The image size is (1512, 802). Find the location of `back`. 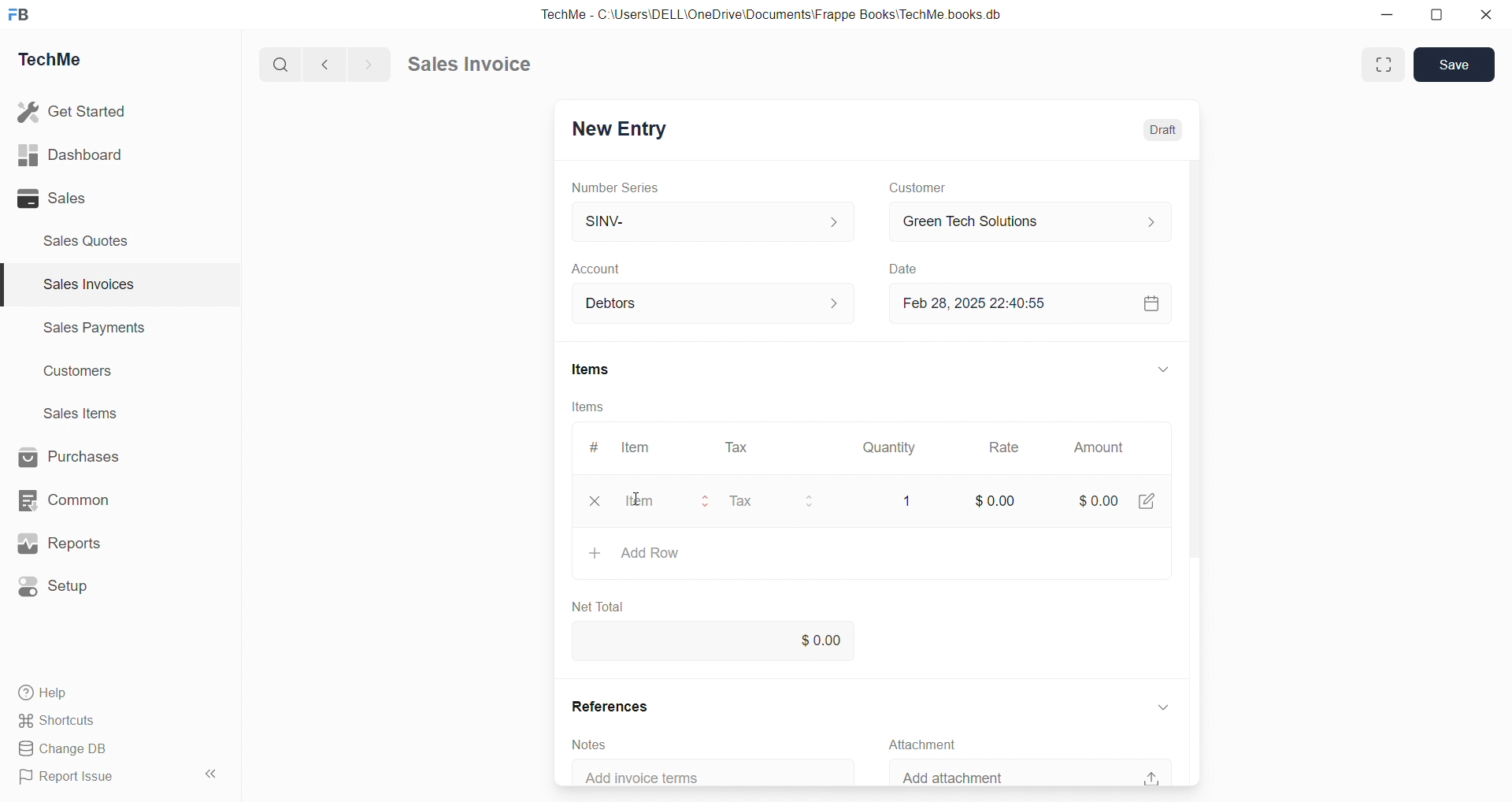

back is located at coordinates (321, 64).